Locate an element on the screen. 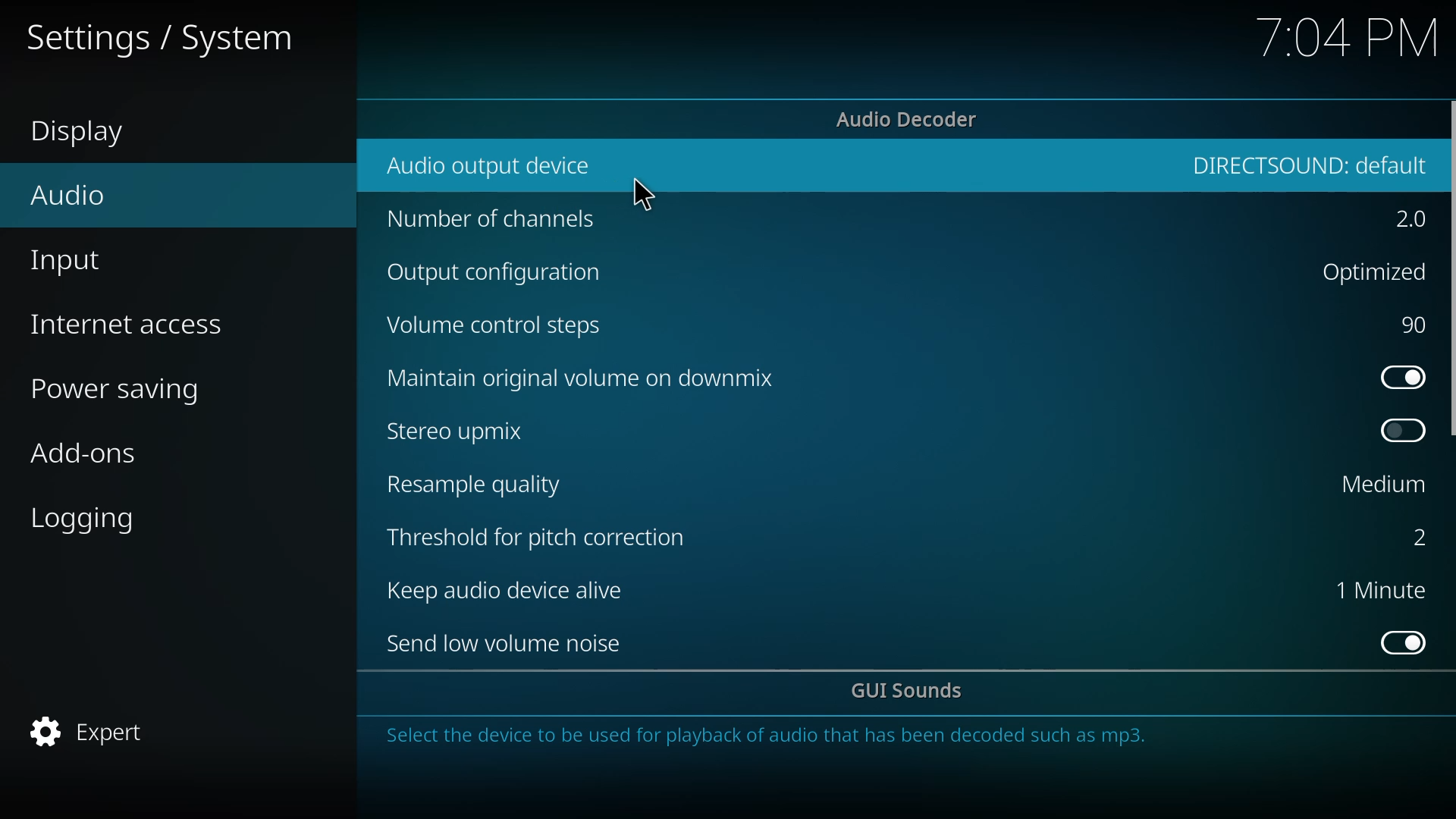  enable is located at coordinates (1404, 430).